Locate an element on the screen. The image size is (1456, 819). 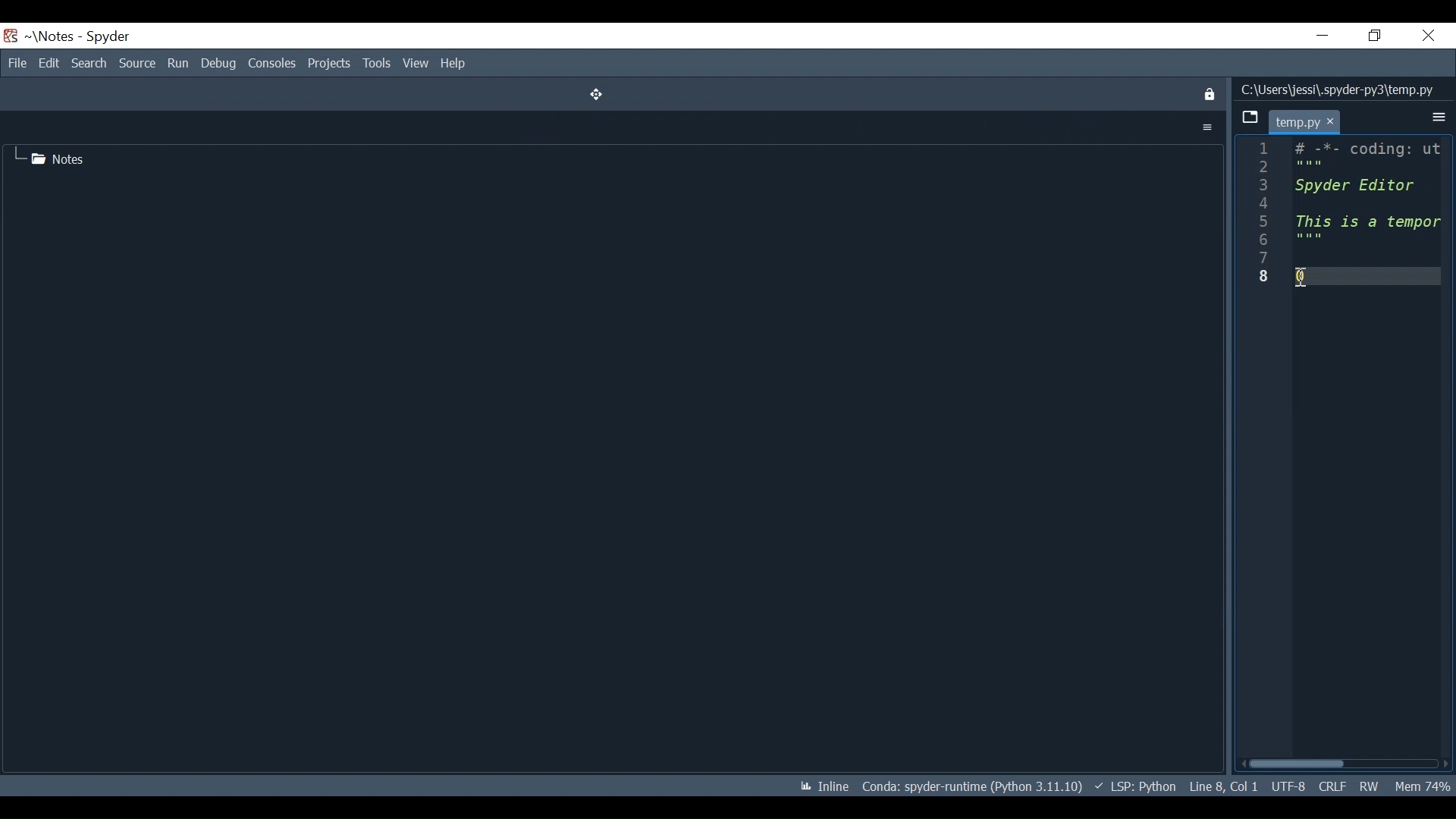
More Options is located at coordinates (1439, 118).